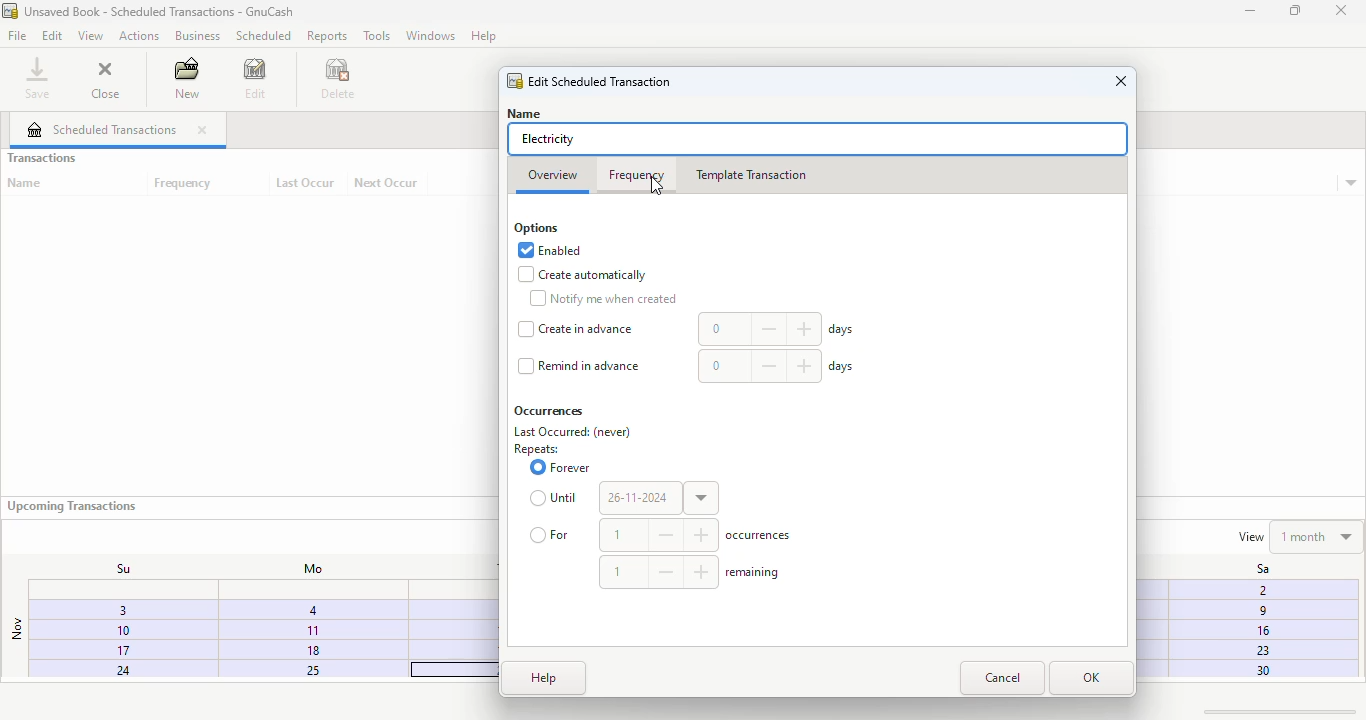 This screenshot has width=1366, height=720. What do you see at coordinates (38, 77) in the screenshot?
I see `save` at bounding box center [38, 77].